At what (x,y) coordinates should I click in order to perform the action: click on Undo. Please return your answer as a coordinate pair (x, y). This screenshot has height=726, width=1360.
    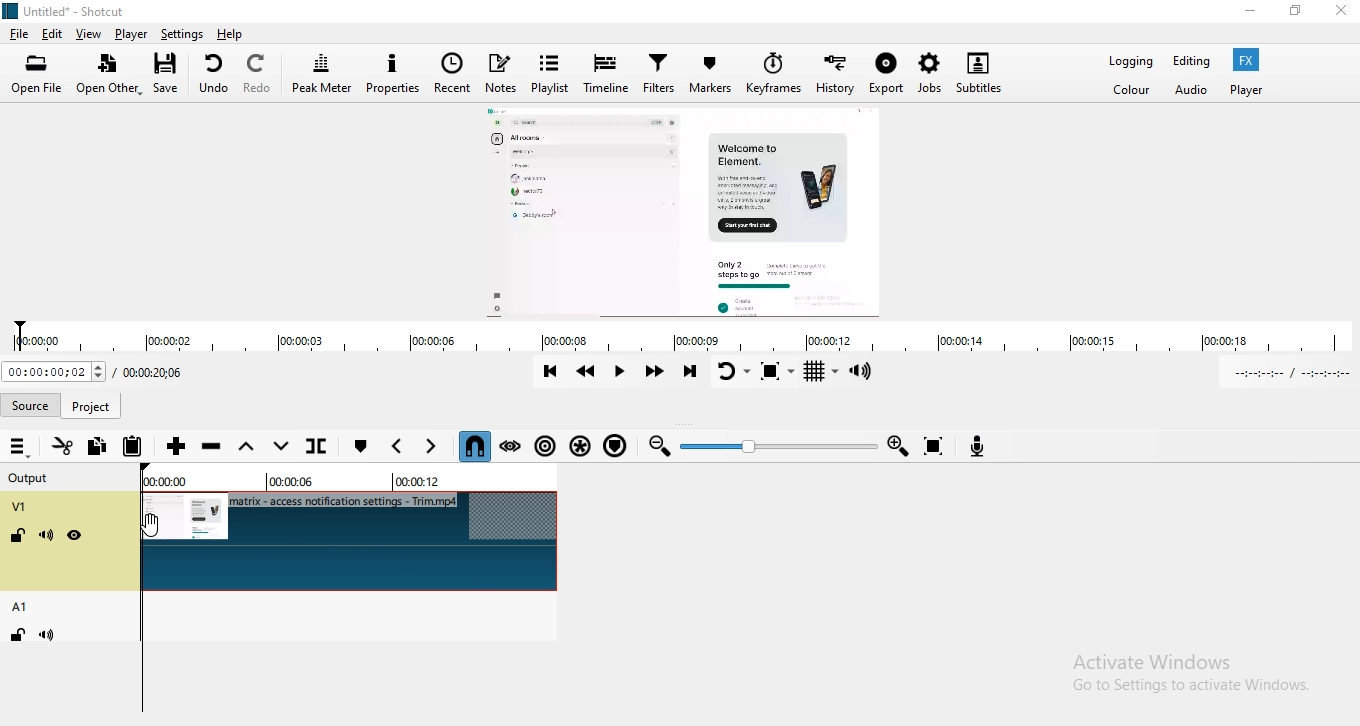
    Looking at the image, I should click on (217, 76).